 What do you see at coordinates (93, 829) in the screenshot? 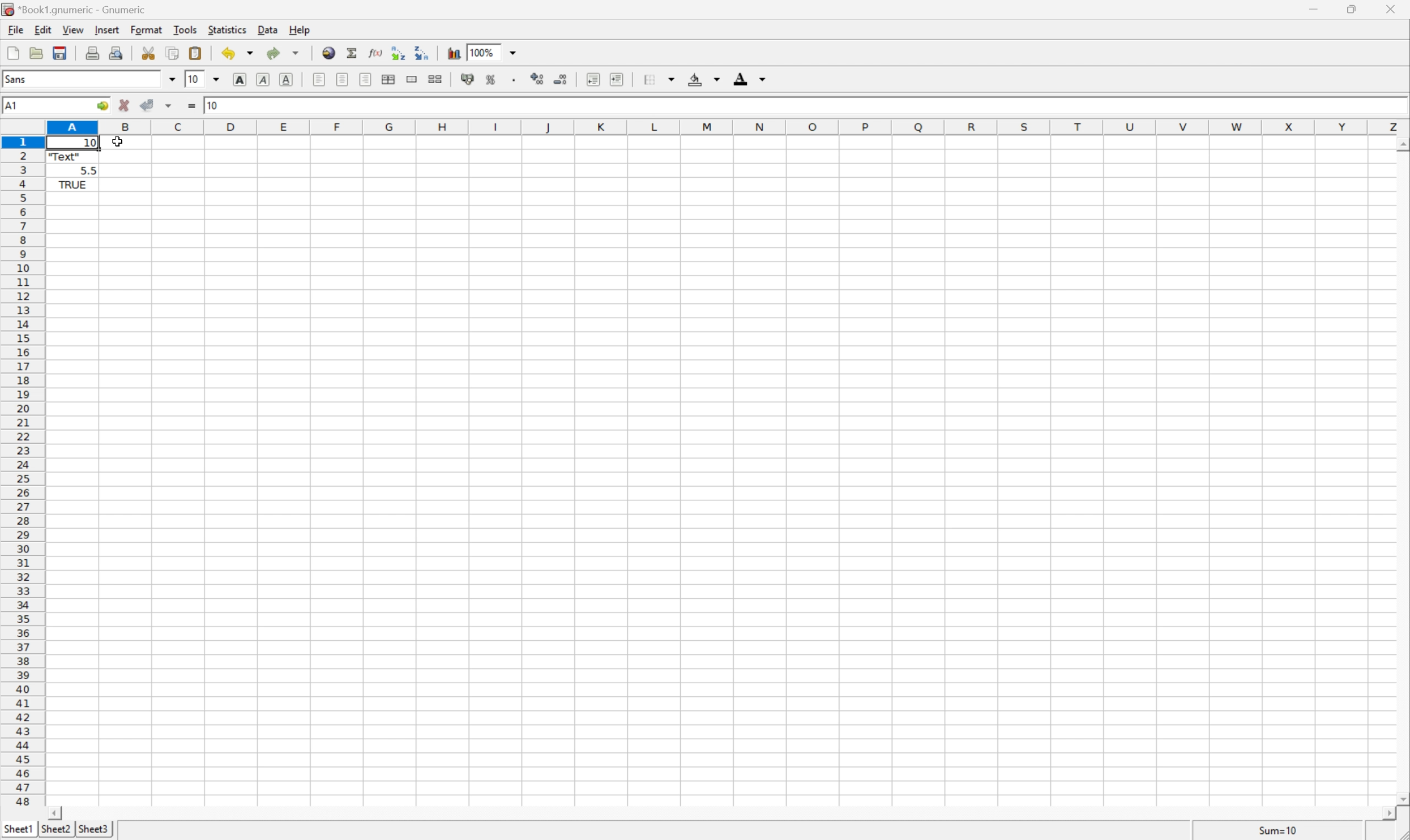
I see `Sheet3` at bounding box center [93, 829].